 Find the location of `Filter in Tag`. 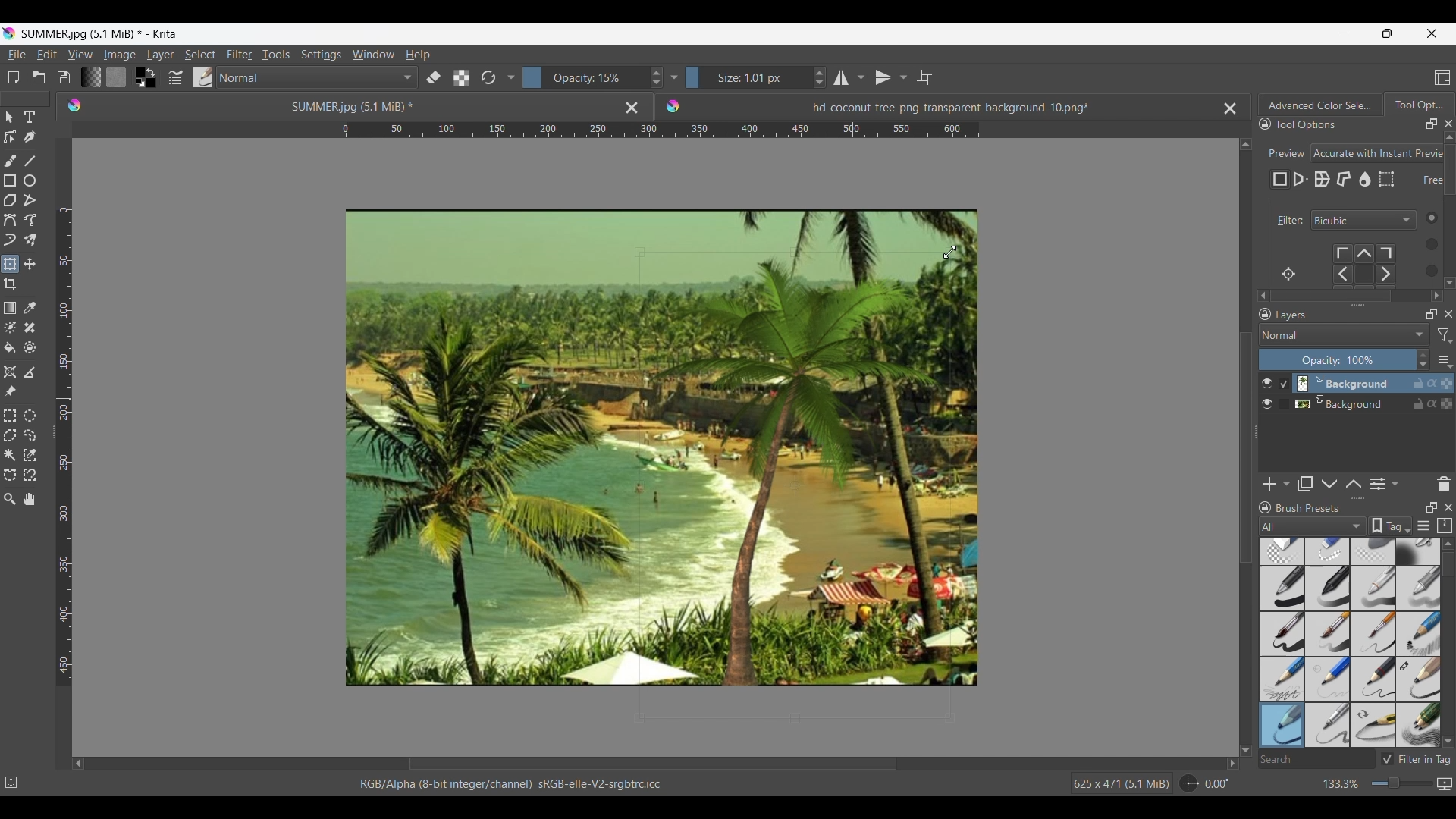

Filter in Tag is located at coordinates (1418, 759).